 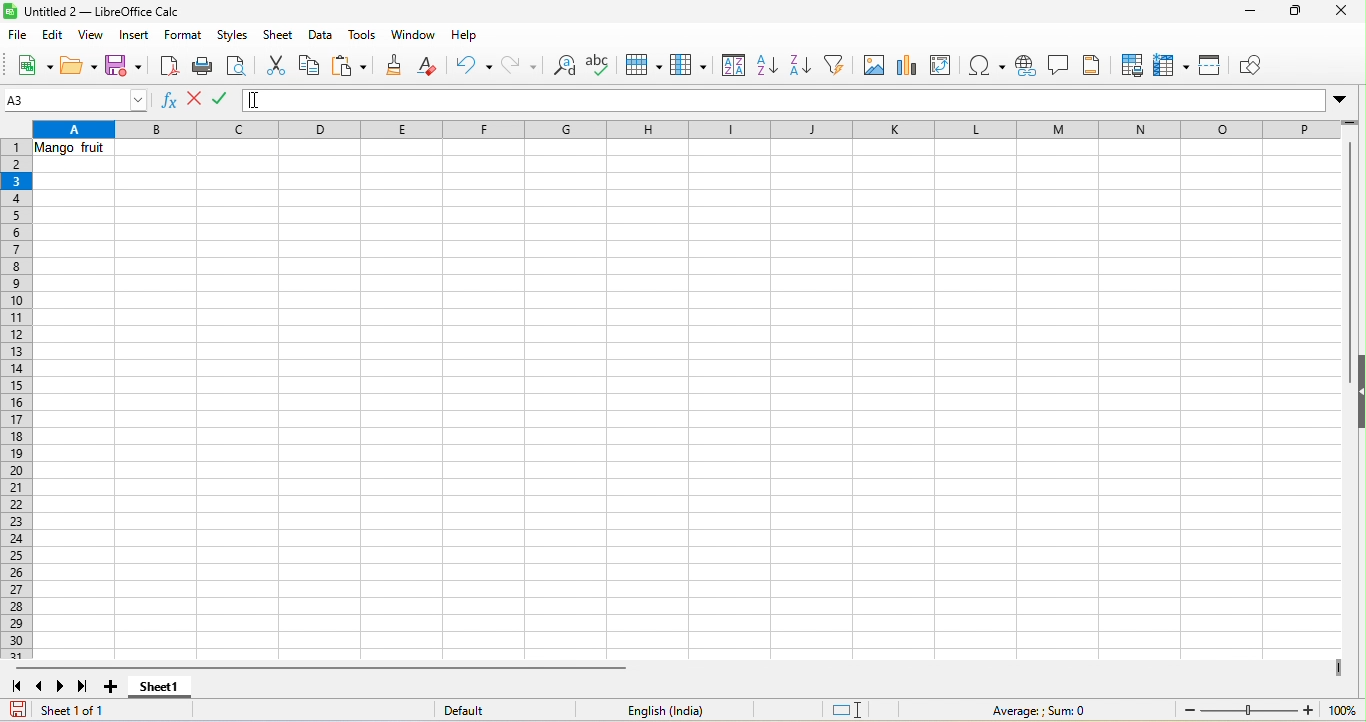 What do you see at coordinates (41, 685) in the screenshot?
I see `scroll to previous sheet` at bounding box center [41, 685].